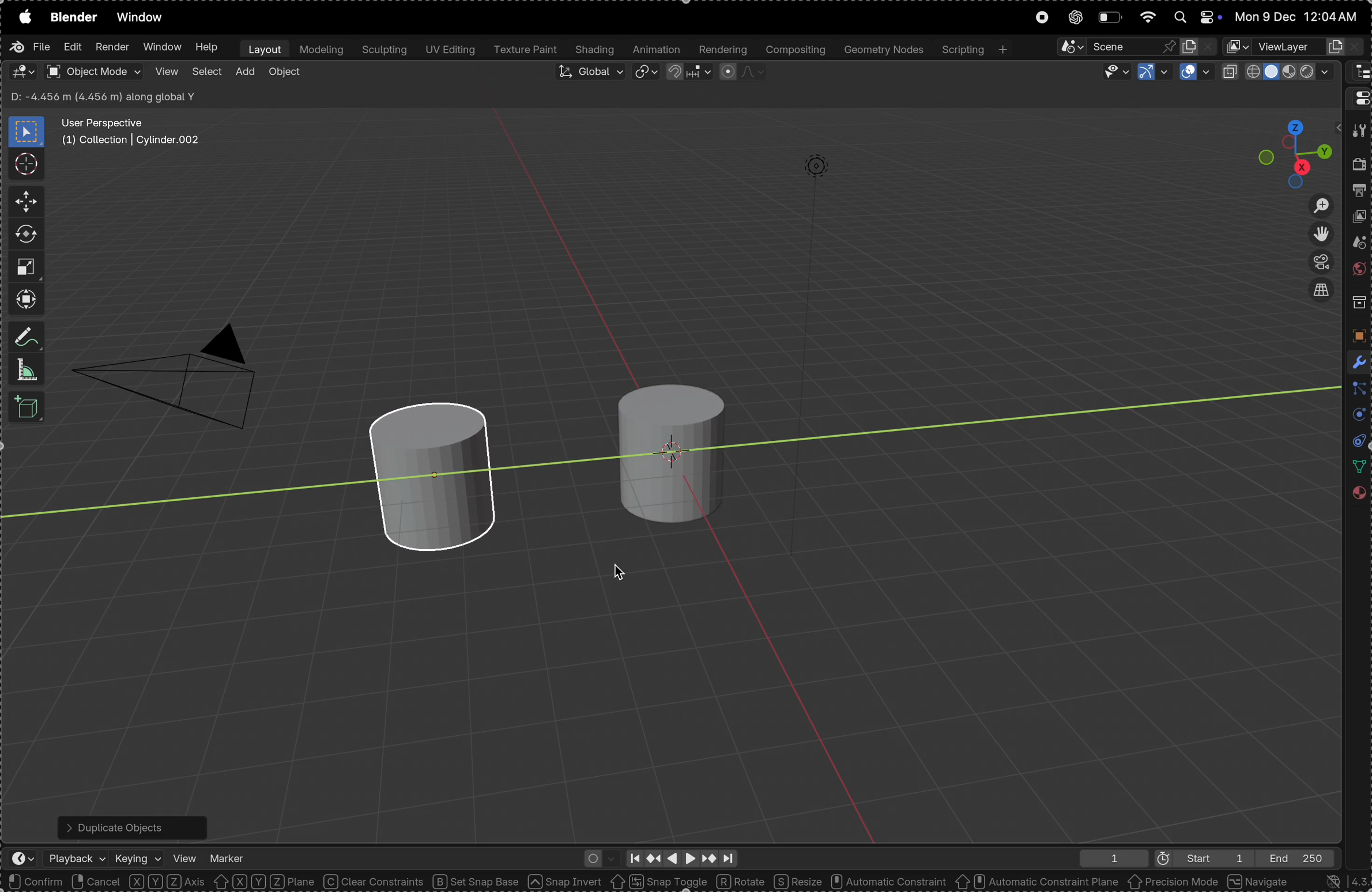  What do you see at coordinates (1111, 72) in the screenshot?
I see `visibility` at bounding box center [1111, 72].